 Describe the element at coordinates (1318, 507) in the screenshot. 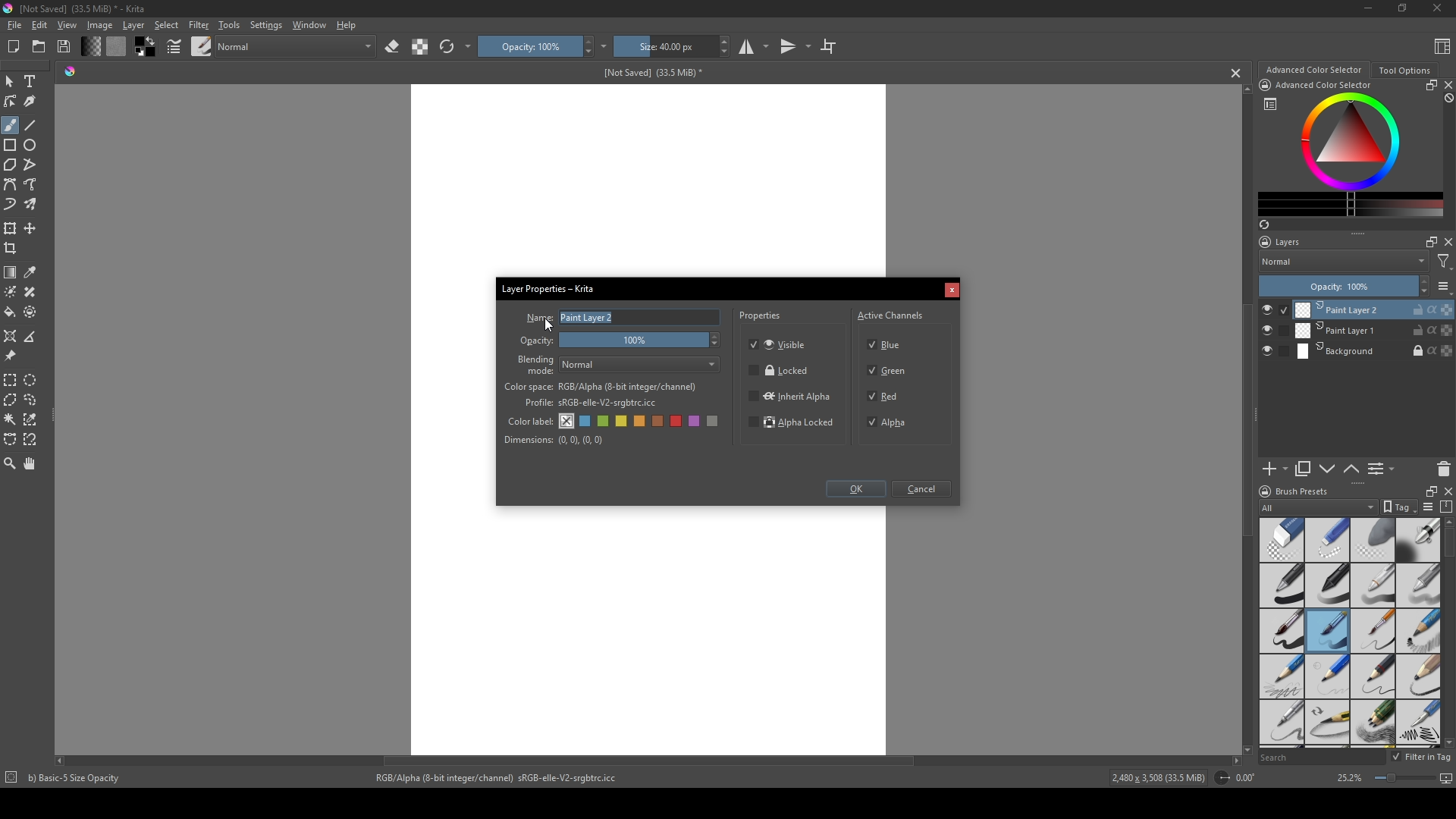

I see `All` at that location.